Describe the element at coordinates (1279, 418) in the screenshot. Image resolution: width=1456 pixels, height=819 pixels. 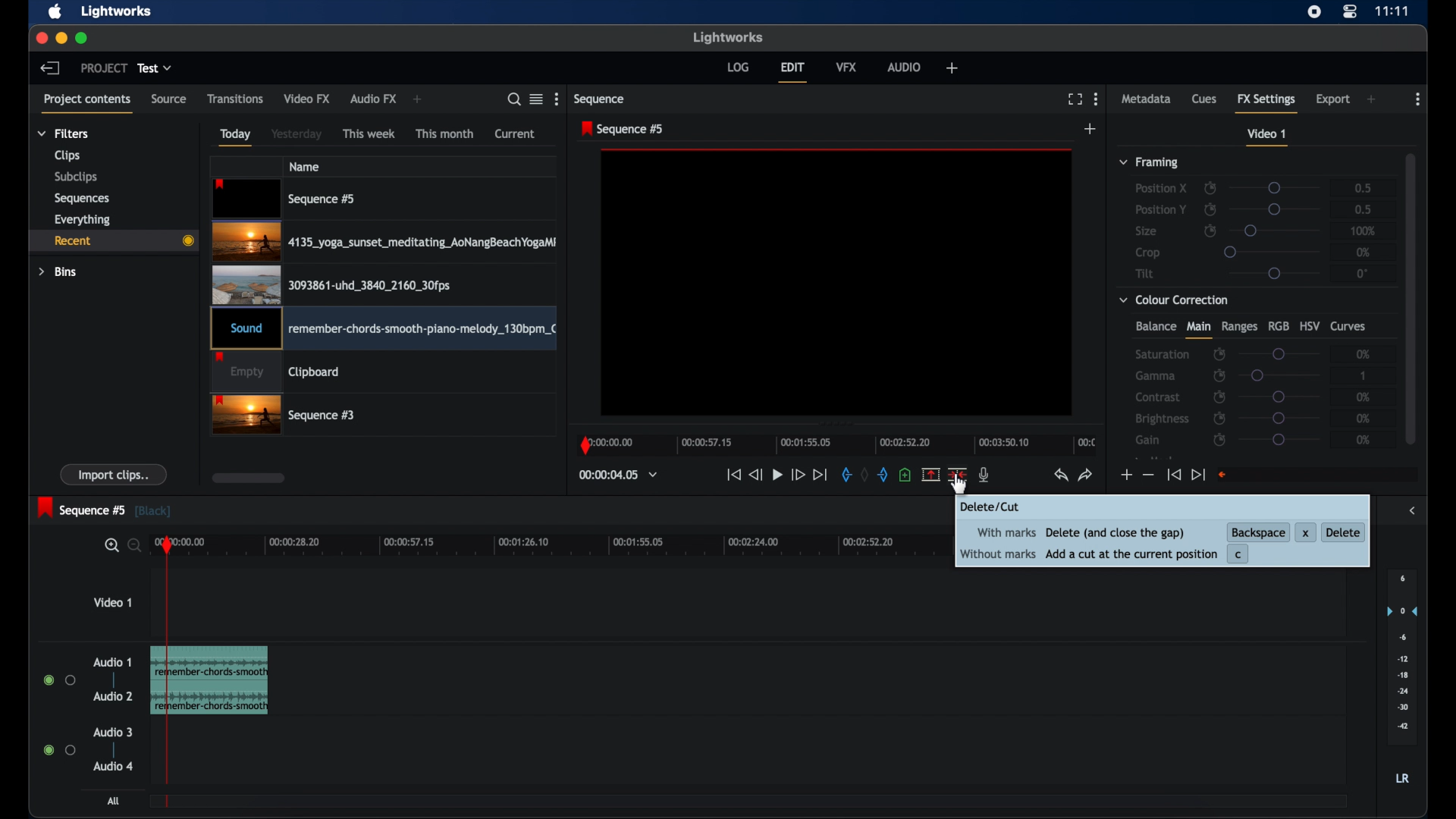
I see `slider` at that location.